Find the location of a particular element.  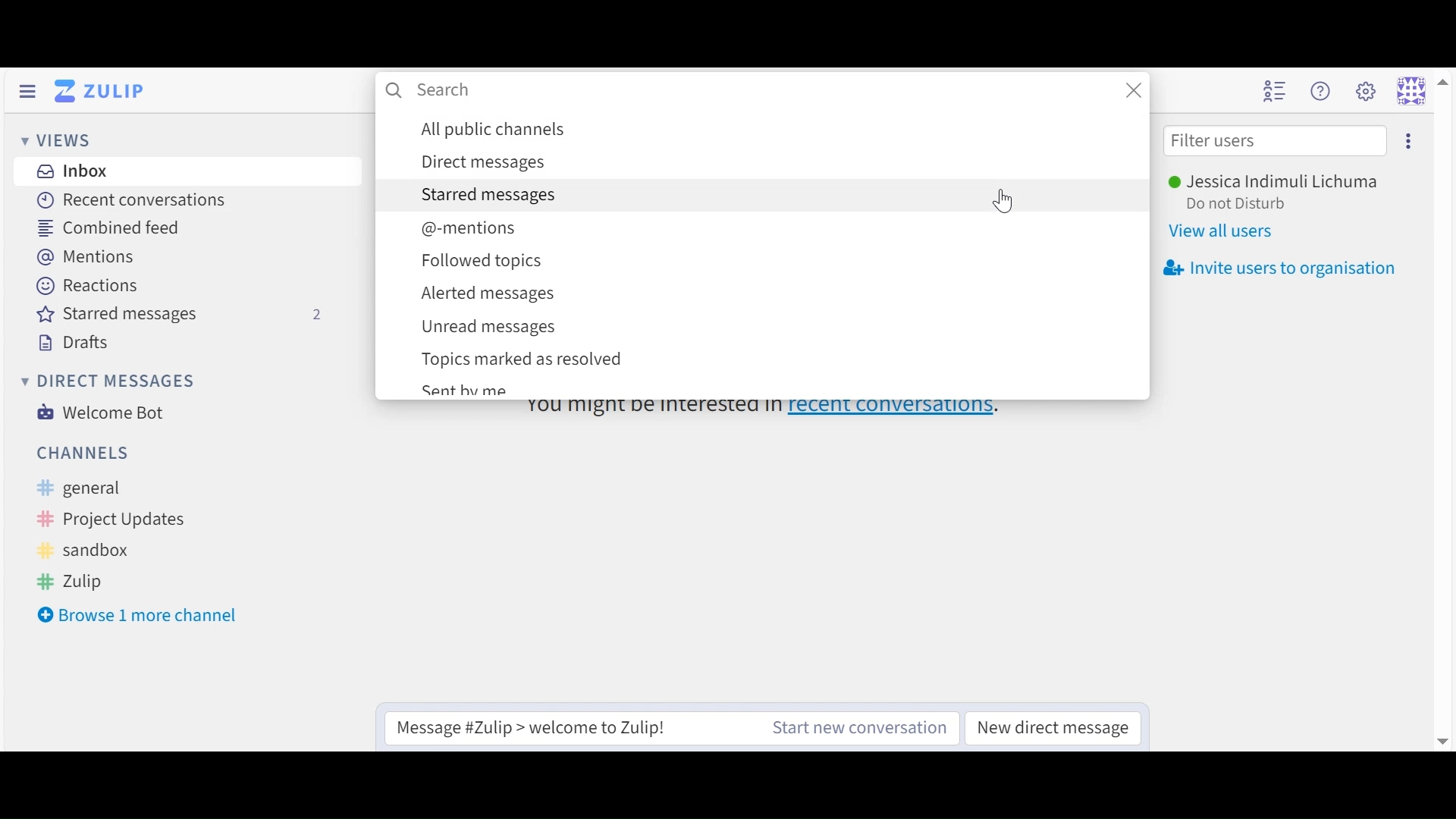

@-mentions is located at coordinates (776, 227).